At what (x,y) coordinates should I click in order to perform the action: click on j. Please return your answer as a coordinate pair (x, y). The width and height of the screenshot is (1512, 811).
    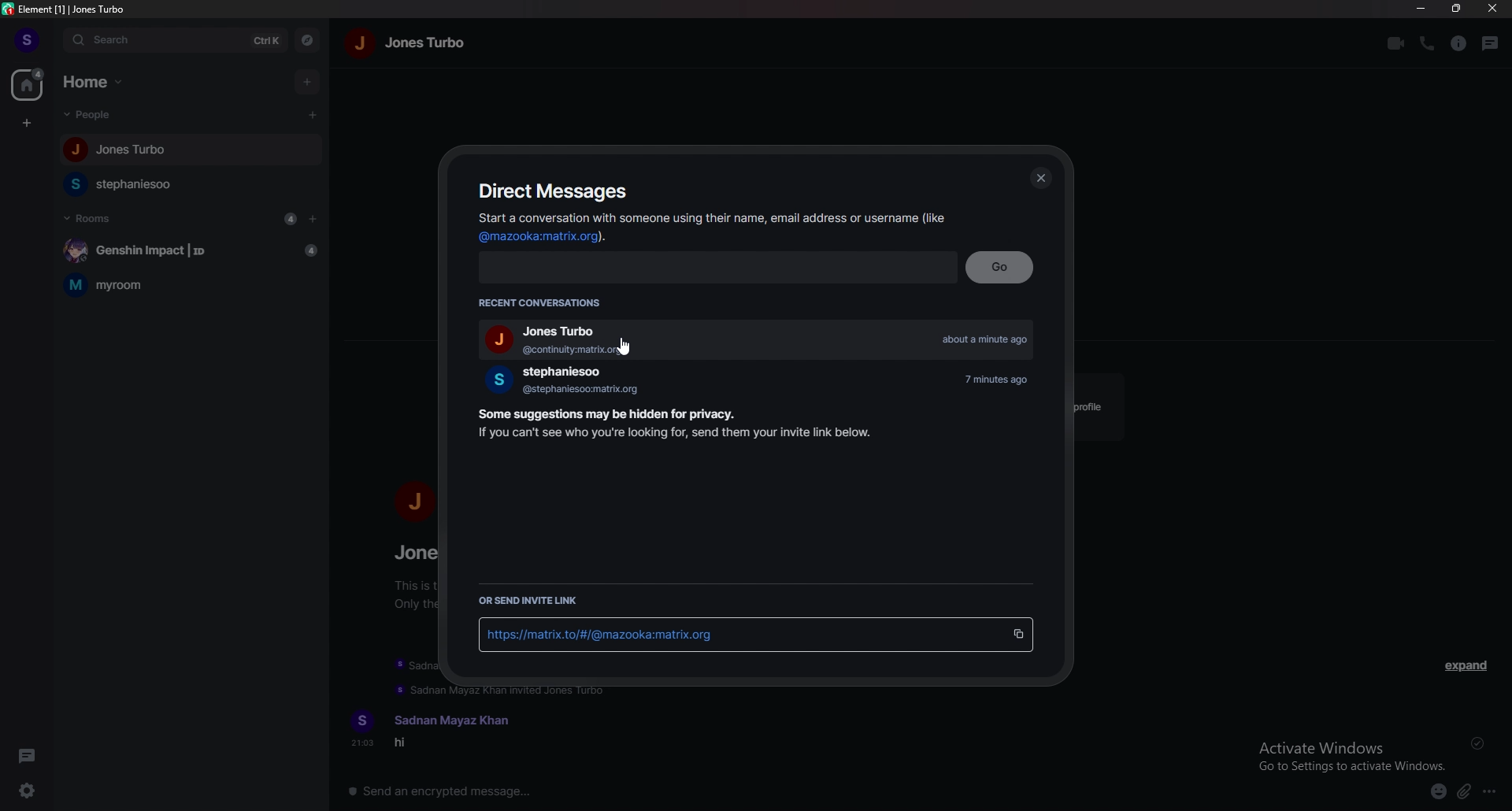
    Looking at the image, I should click on (414, 502).